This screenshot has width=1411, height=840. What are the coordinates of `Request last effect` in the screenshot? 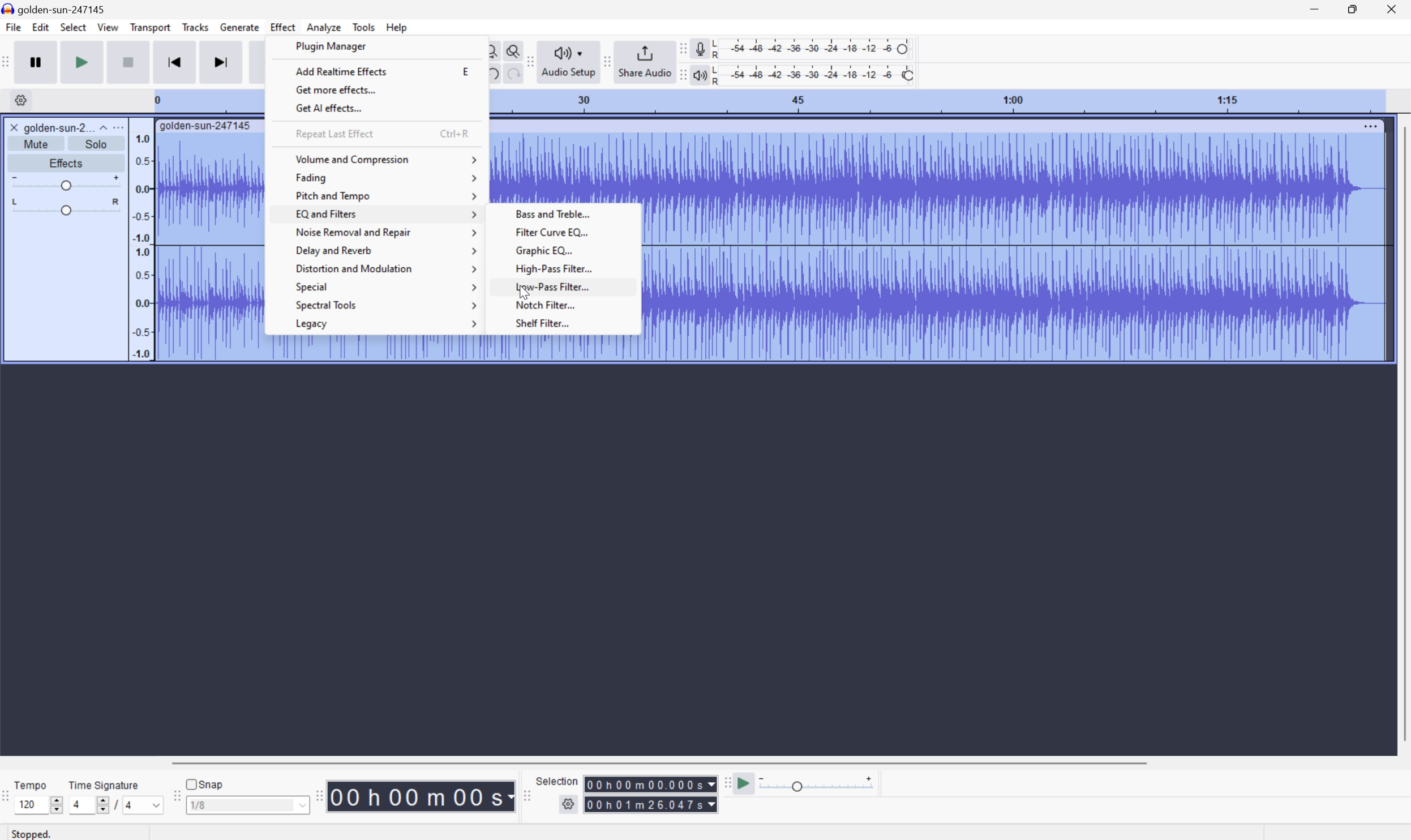 It's located at (333, 132).